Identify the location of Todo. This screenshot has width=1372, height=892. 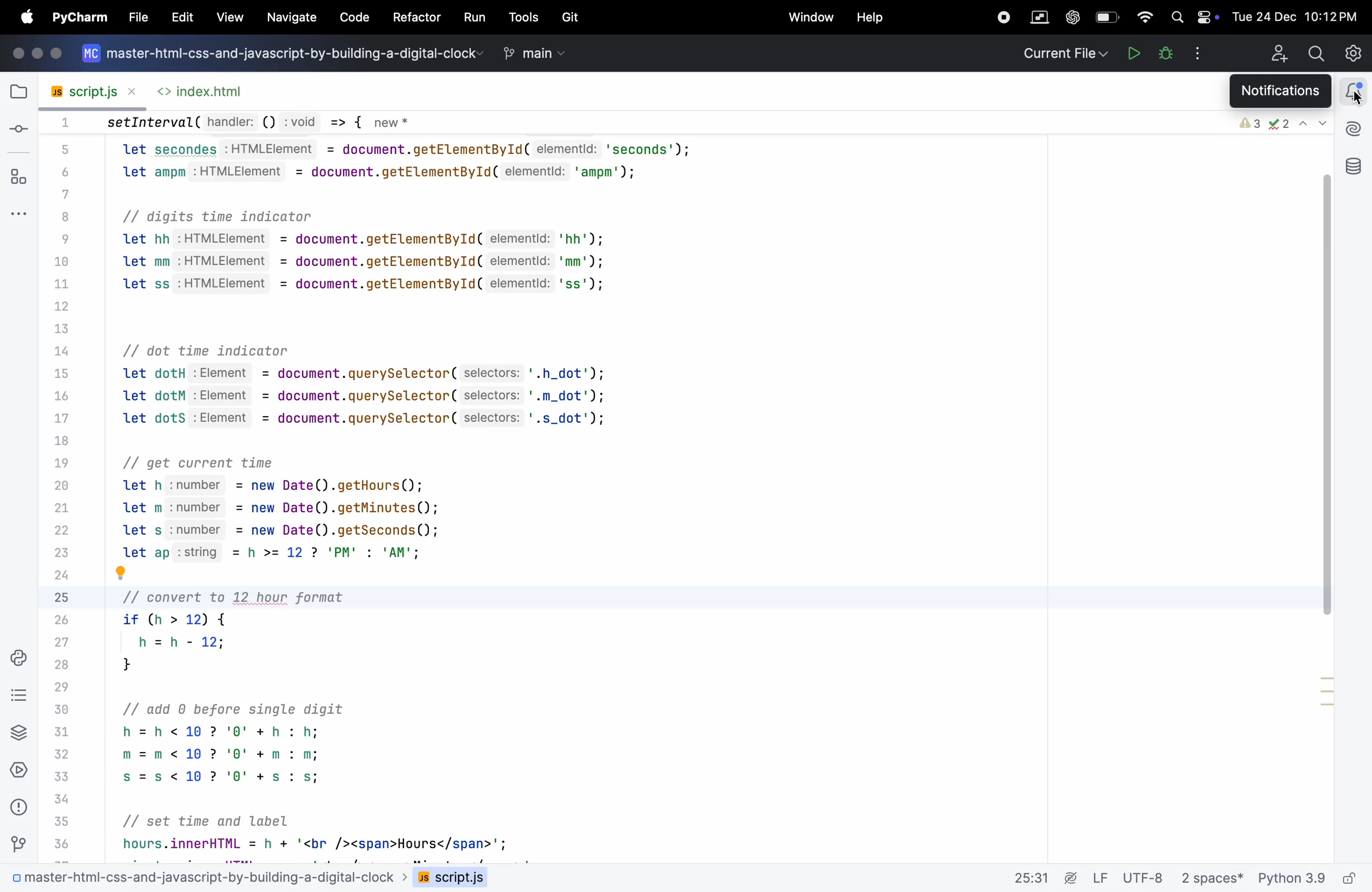
(17, 697).